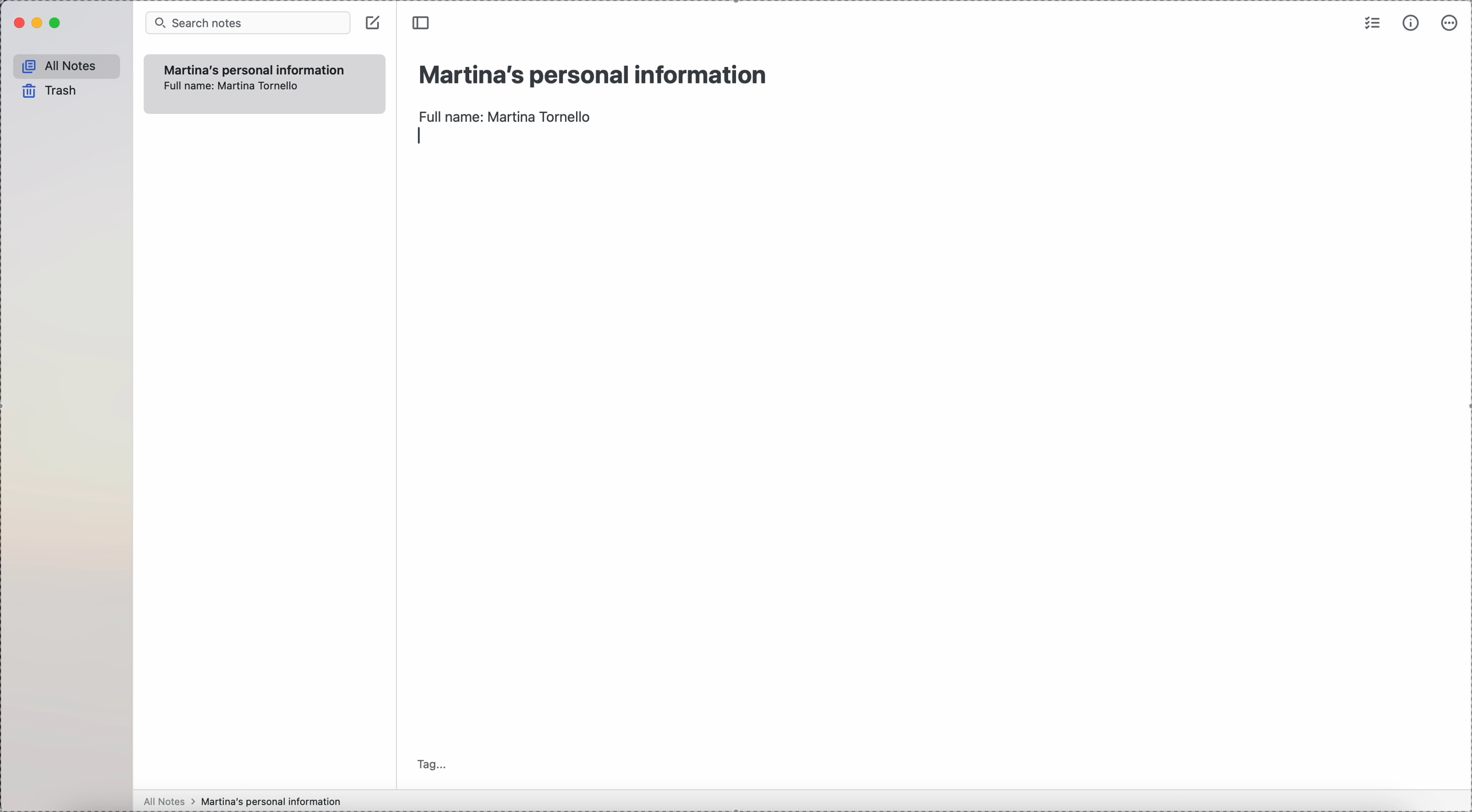  Describe the element at coordinates (249, 23) in the screenshot. I see `search bar` at that location.